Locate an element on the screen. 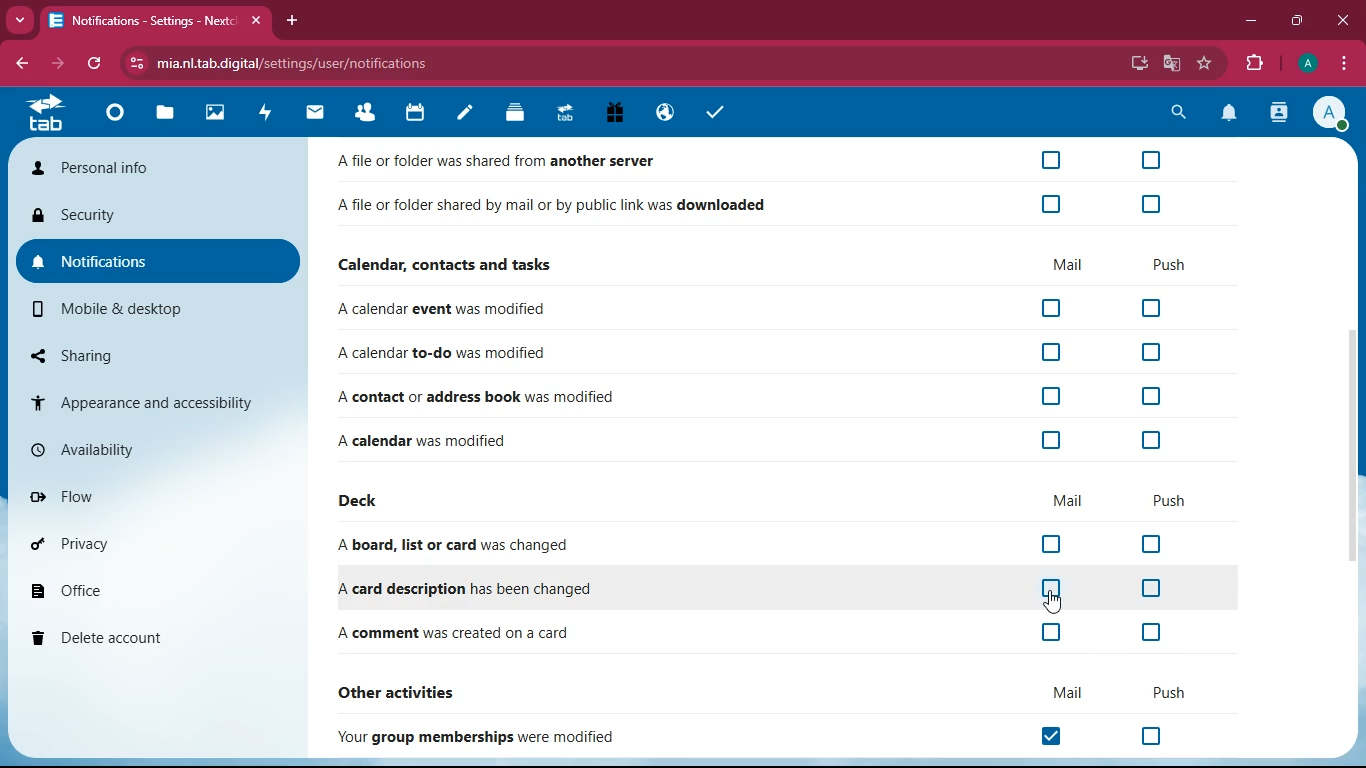 The image size is (1366, 768). off is located at coordinates (1149, 160).